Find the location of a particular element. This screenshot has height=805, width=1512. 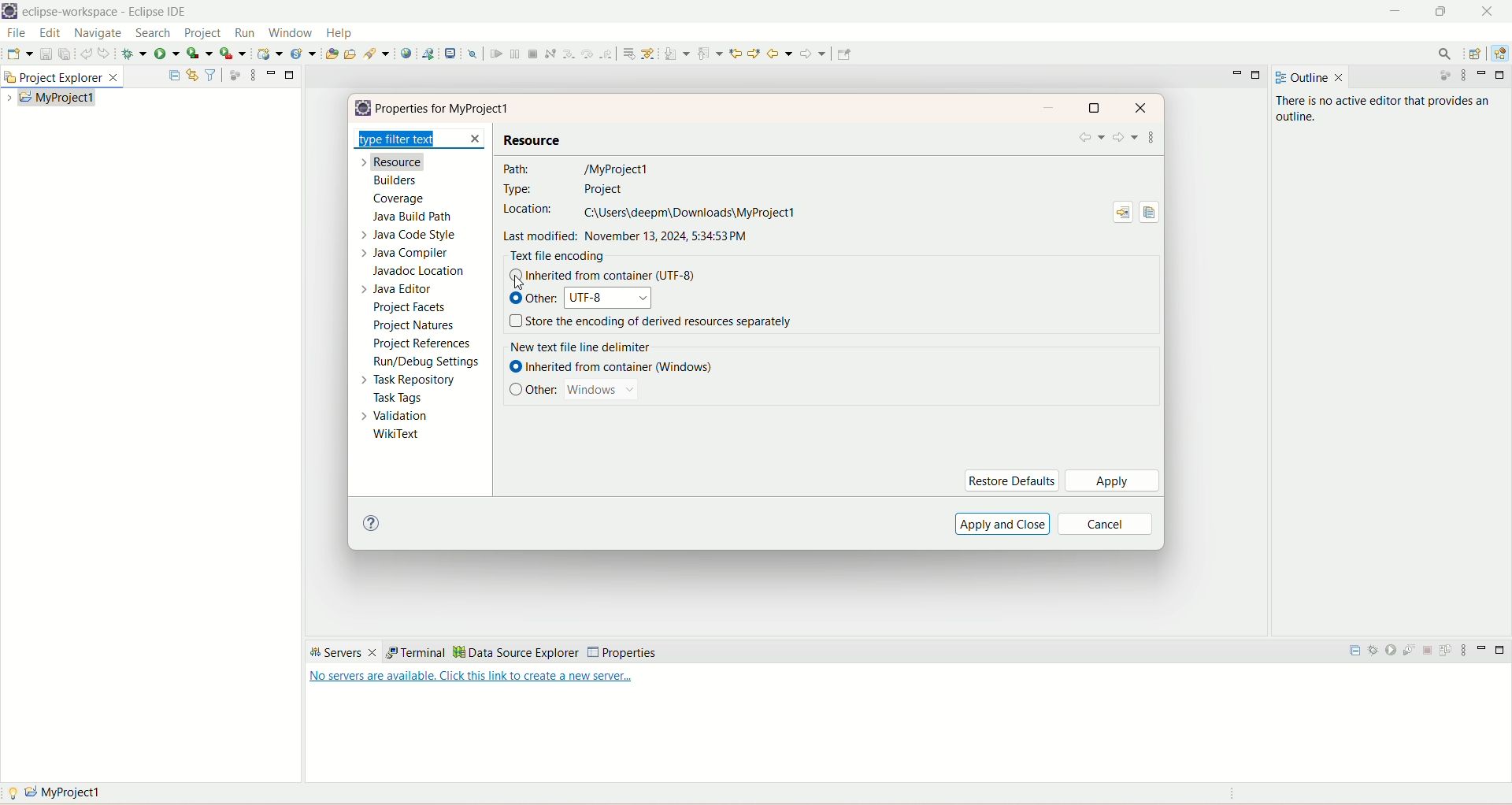

start the server in debug mode is located at coordinates (1374, 652).